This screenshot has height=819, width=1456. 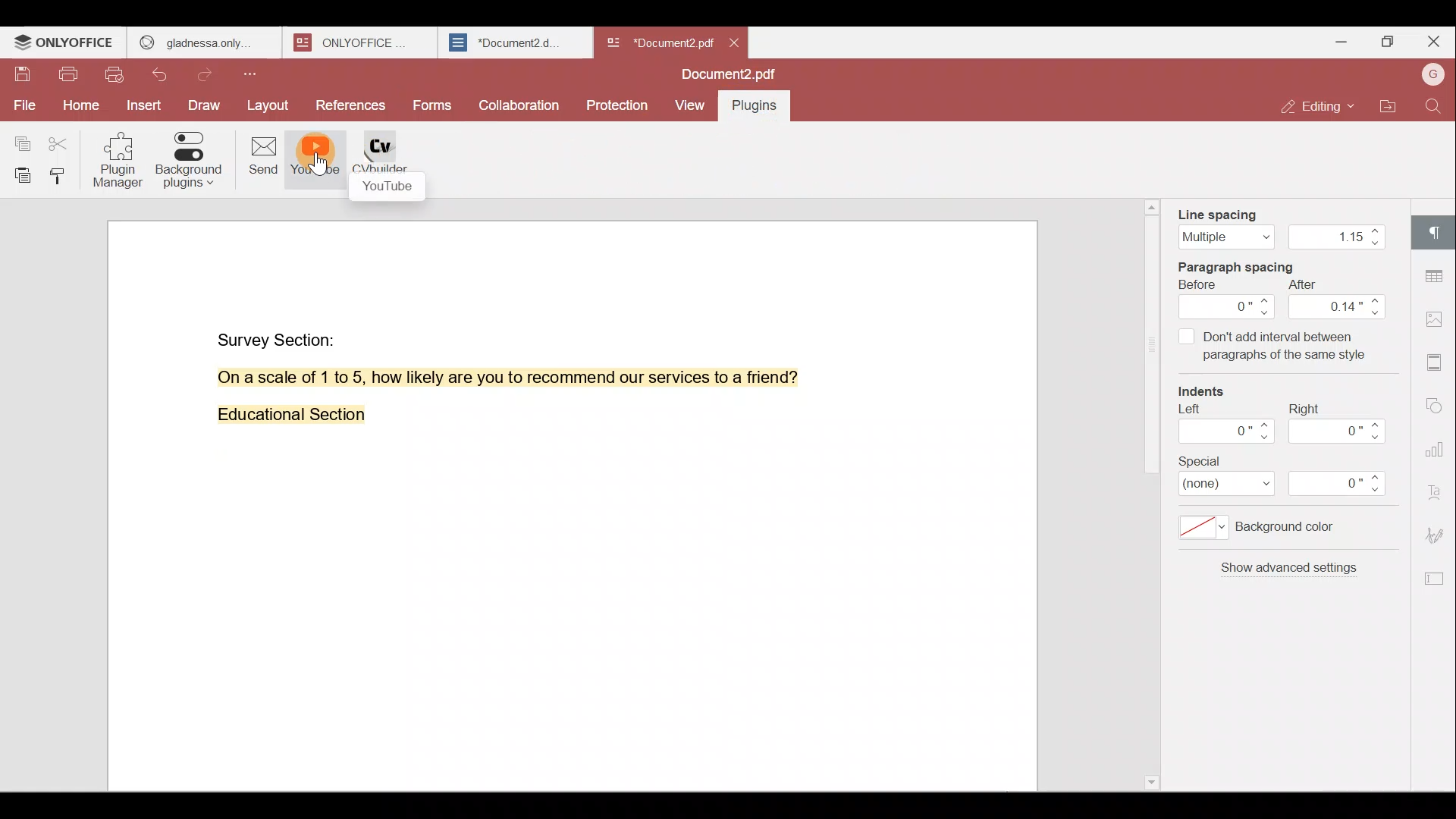 I want to click on Right, so click(x=1341, y=423).